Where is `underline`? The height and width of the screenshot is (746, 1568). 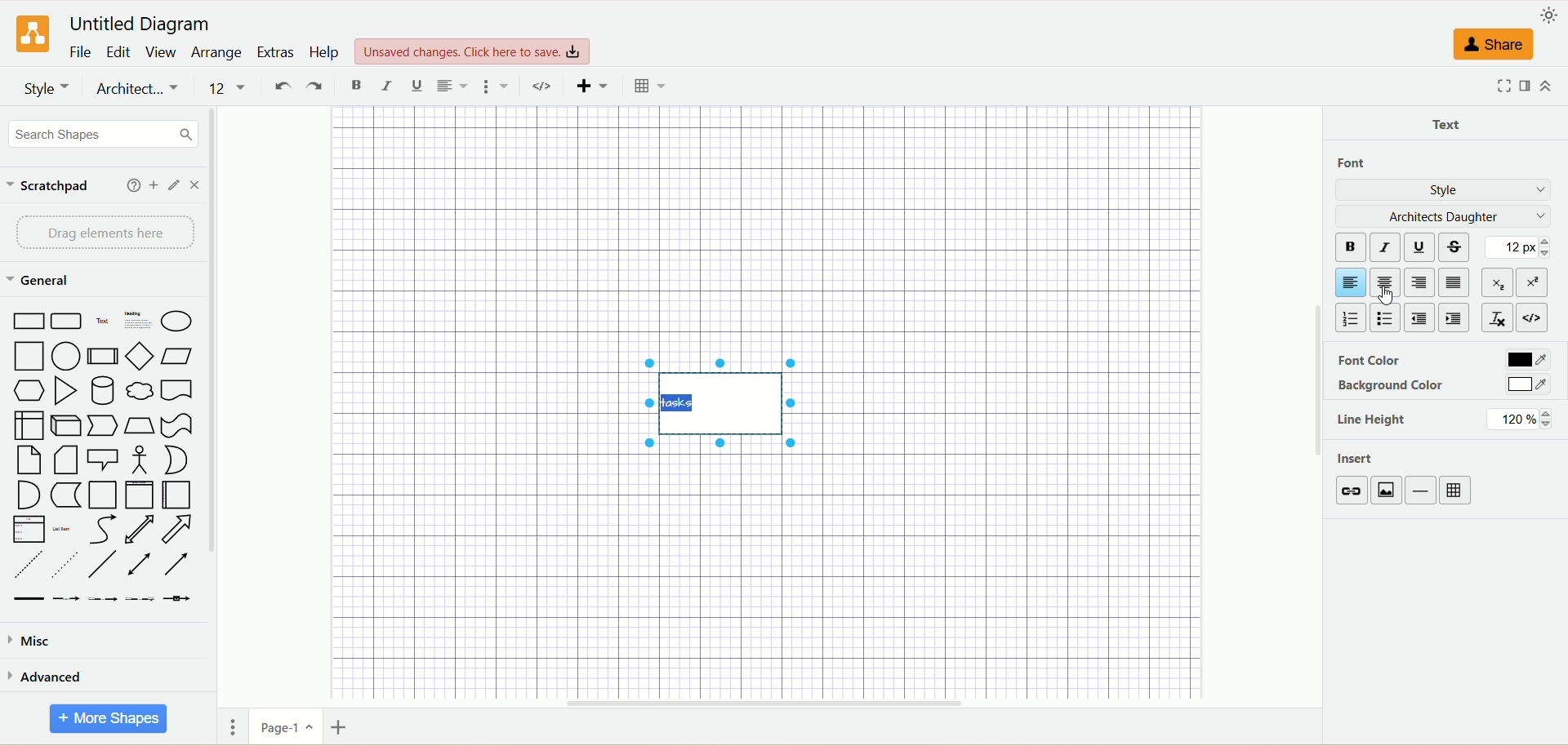
underline is located at coordinates (1423, 246).